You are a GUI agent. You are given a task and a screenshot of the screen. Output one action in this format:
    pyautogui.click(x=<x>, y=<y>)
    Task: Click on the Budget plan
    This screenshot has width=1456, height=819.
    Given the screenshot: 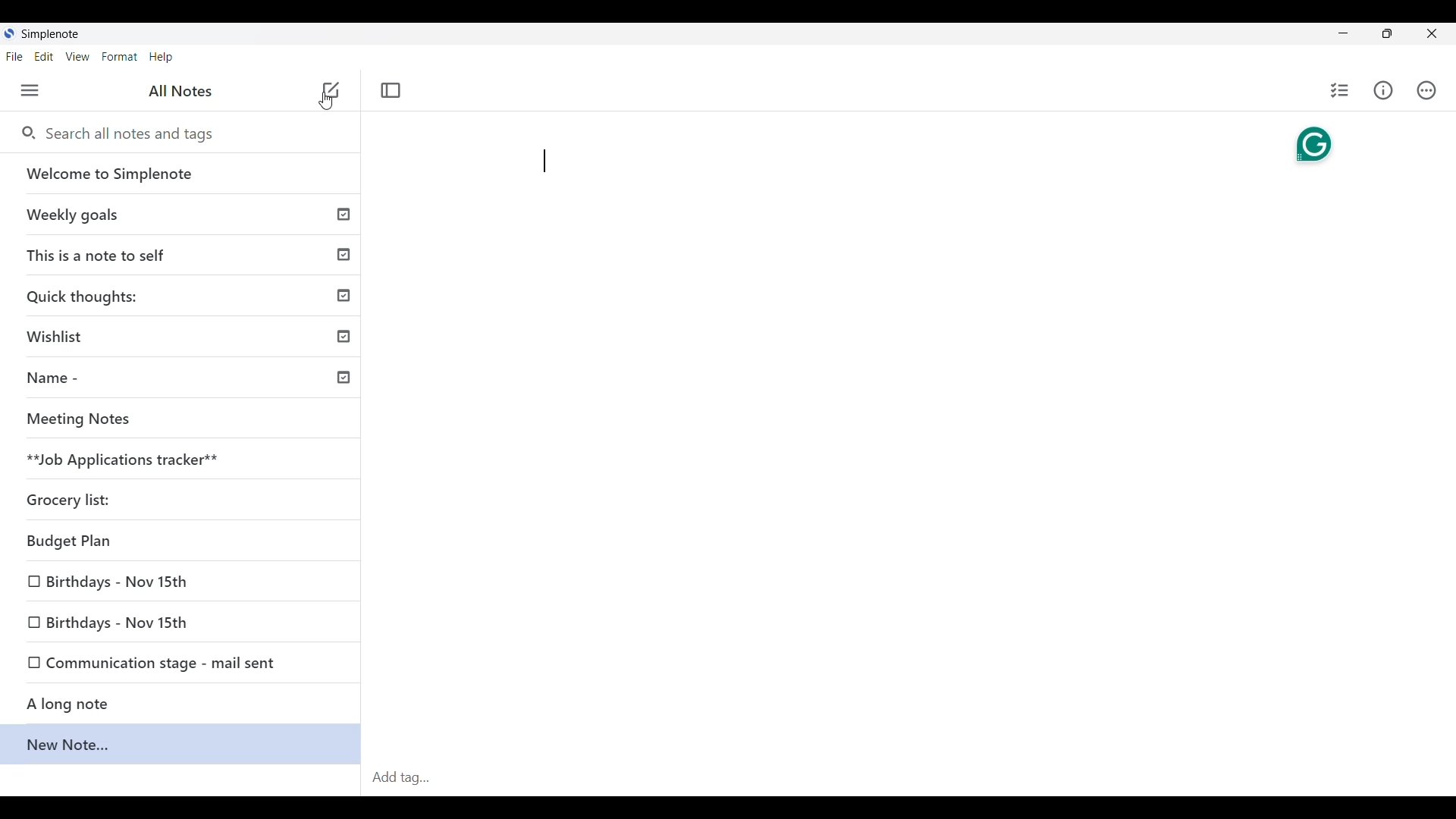 What is the action you would take?
    pyautogui.click(x=92, y=538)
    